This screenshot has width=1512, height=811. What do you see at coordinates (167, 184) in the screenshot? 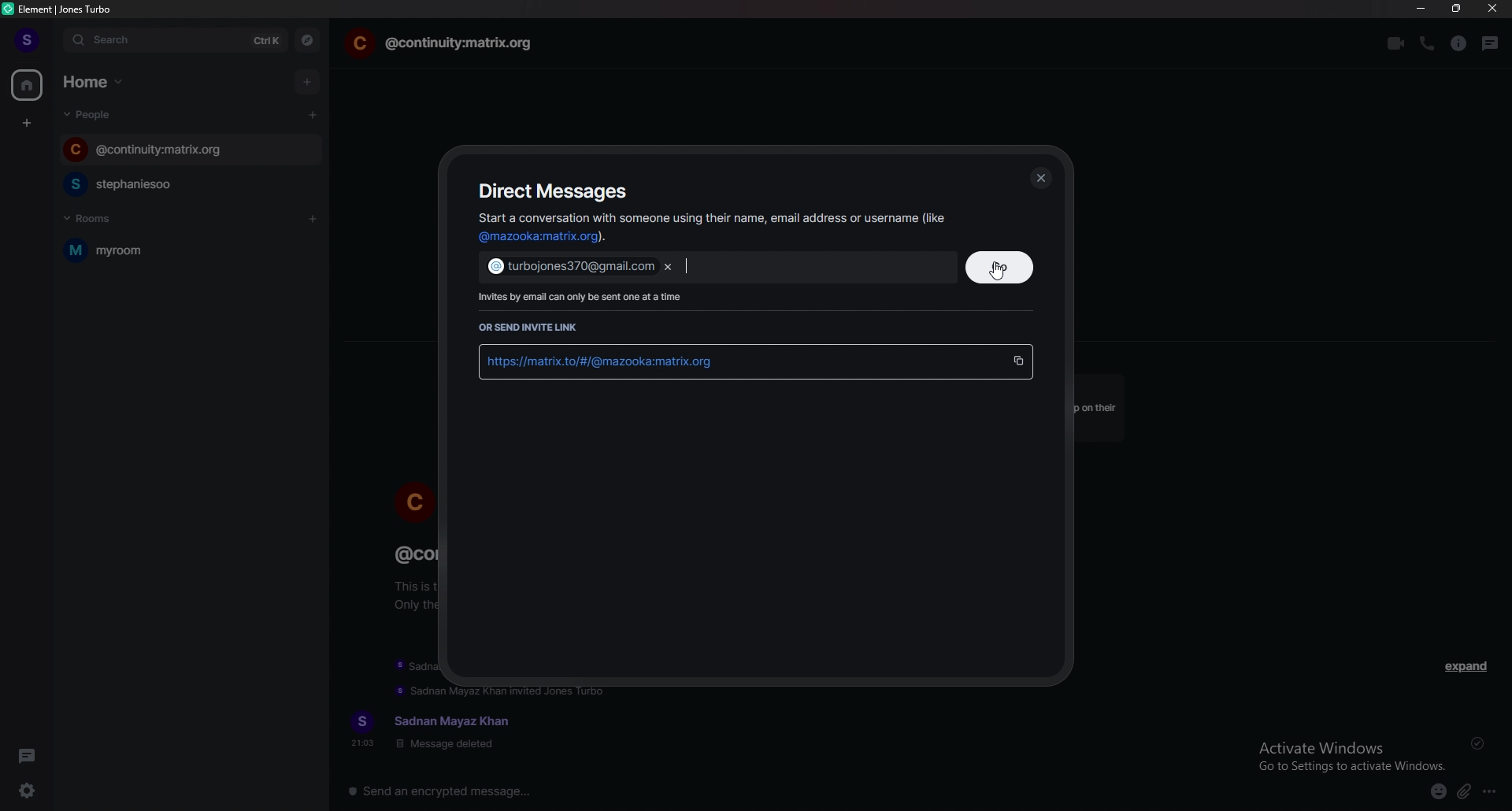
I see `chat` at bounding box center [167, 184].